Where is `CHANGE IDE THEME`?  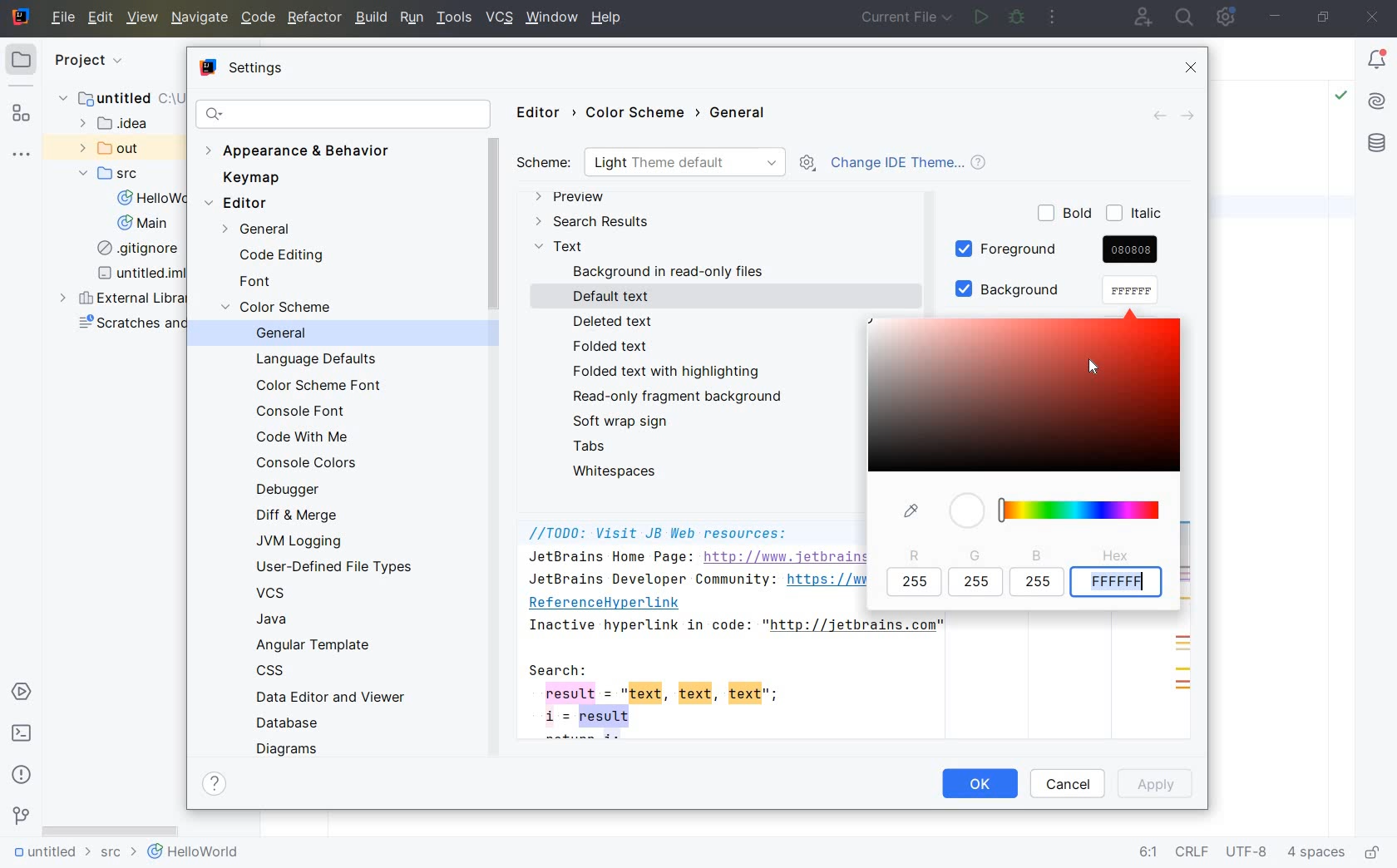
CHANGE IDE THEME is located at coordinates (916, 165).